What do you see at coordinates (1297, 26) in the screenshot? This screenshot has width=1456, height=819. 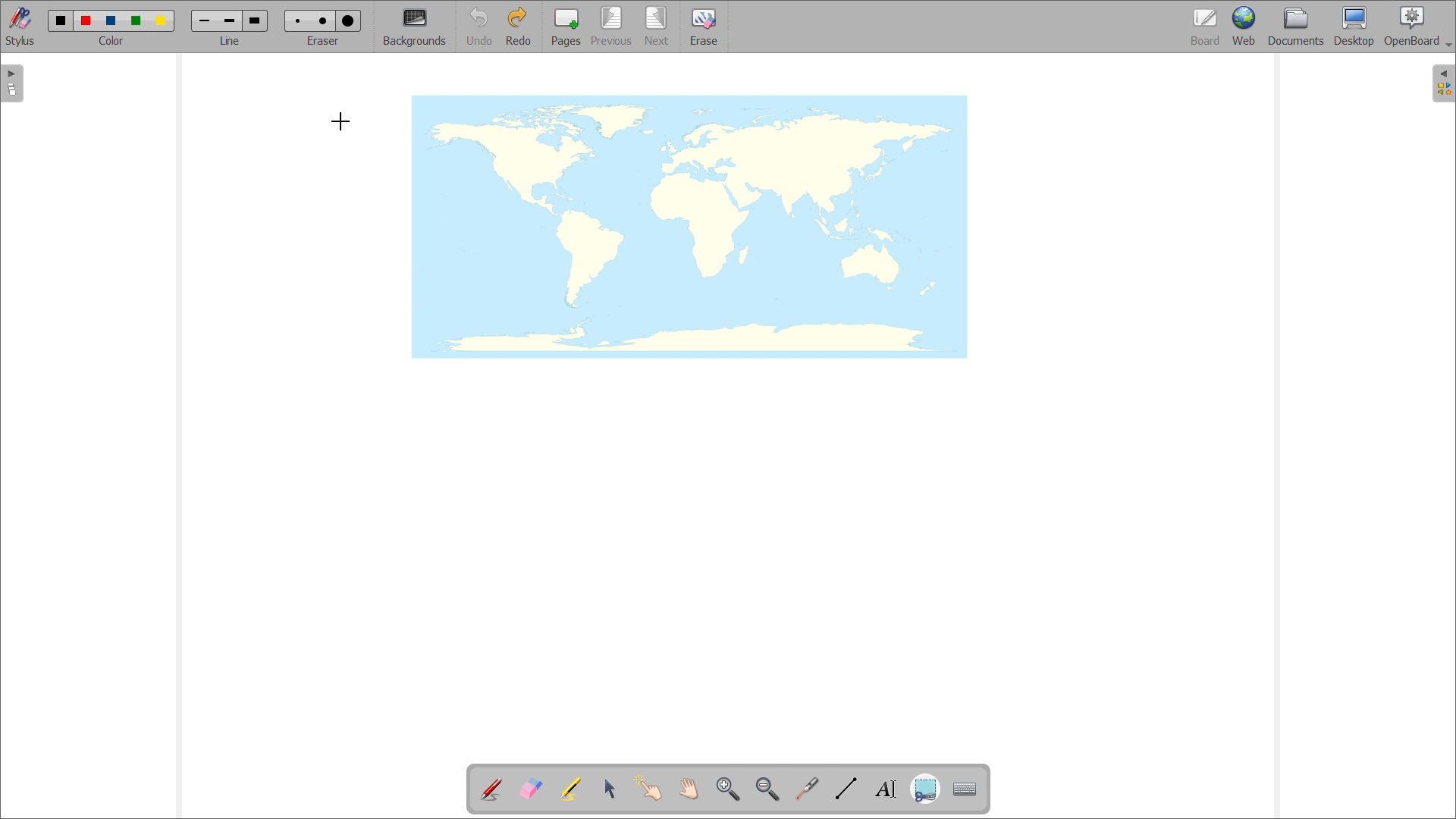 I see `documents` at bounding box center [1297, 26].